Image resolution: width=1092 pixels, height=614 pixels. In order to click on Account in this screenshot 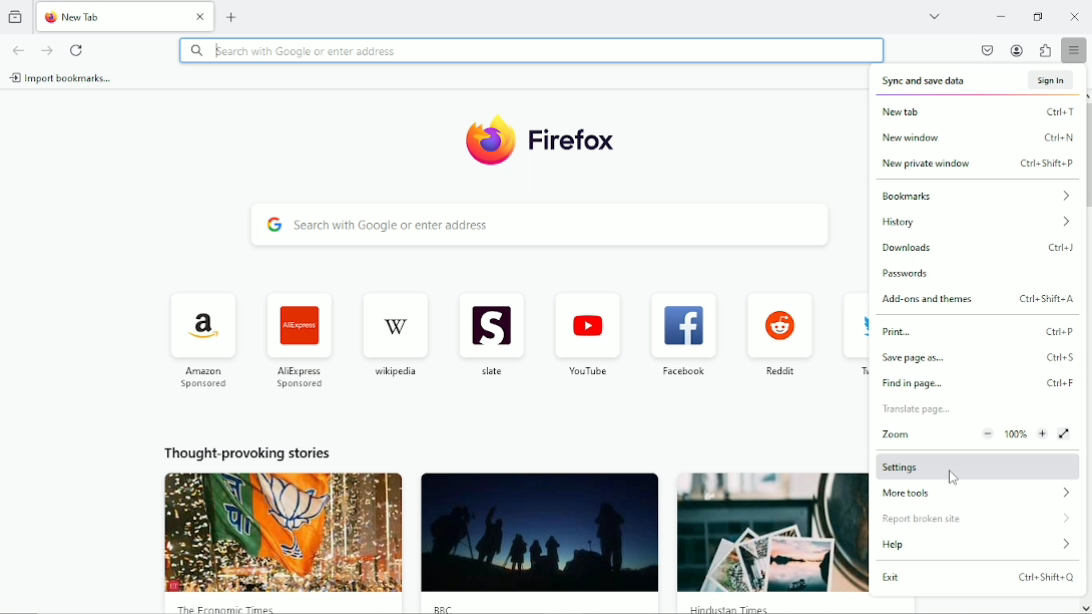, I will do `click(1018, 51)`.